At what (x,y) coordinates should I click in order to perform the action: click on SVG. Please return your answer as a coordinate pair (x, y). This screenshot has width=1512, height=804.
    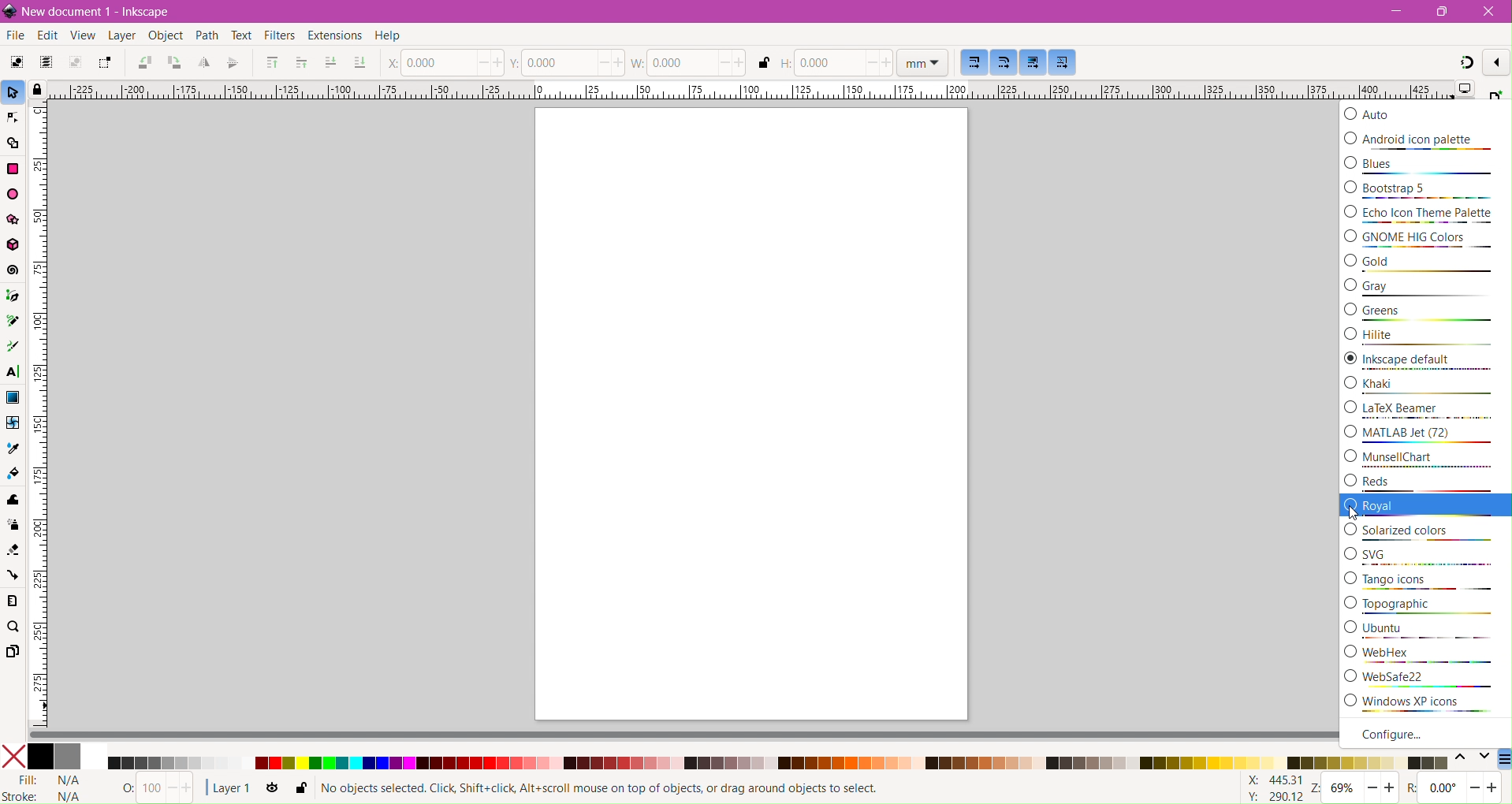
    Looking at the image, I should click on (1426, 556).